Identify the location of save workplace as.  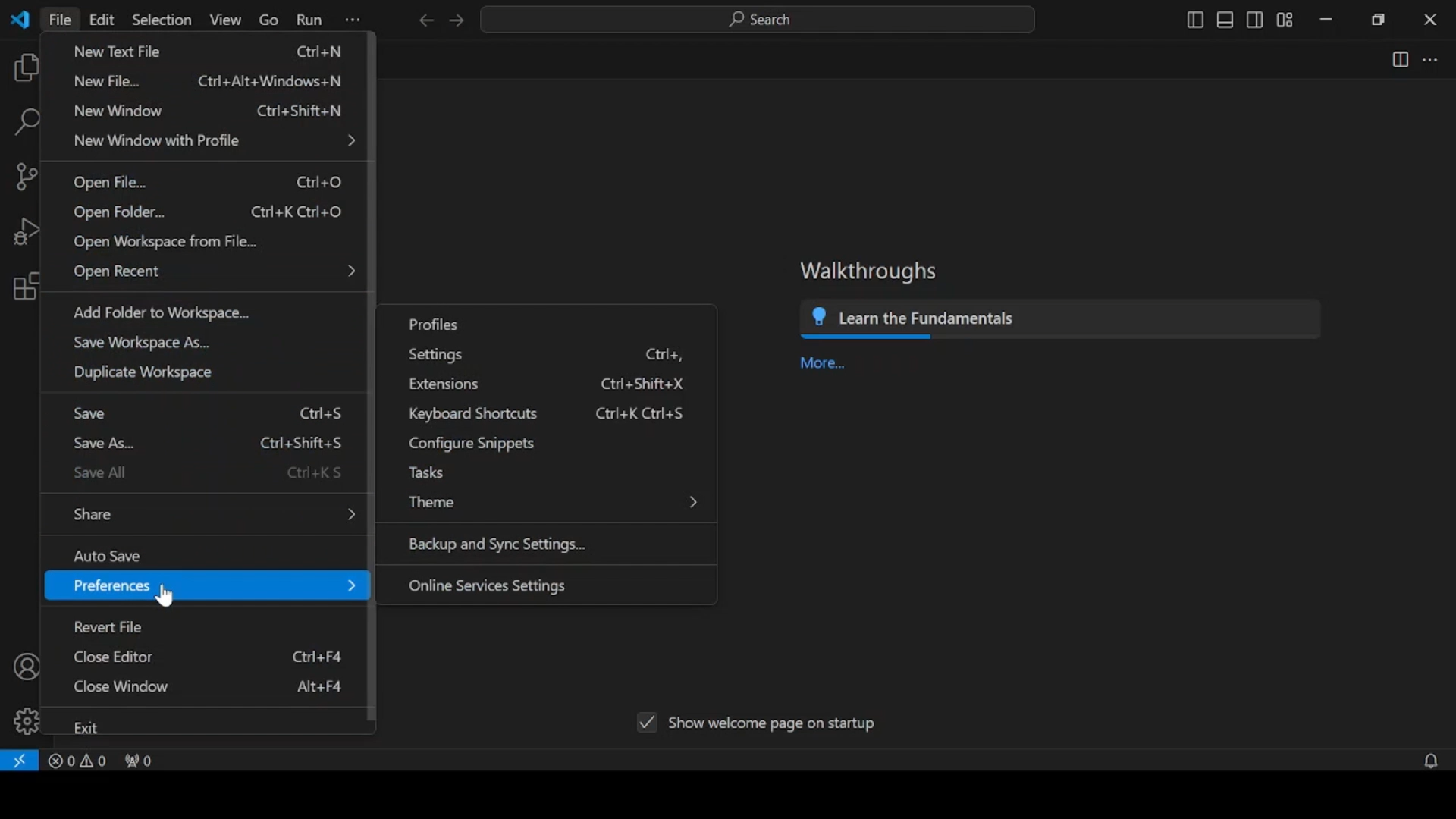
(139, 343).